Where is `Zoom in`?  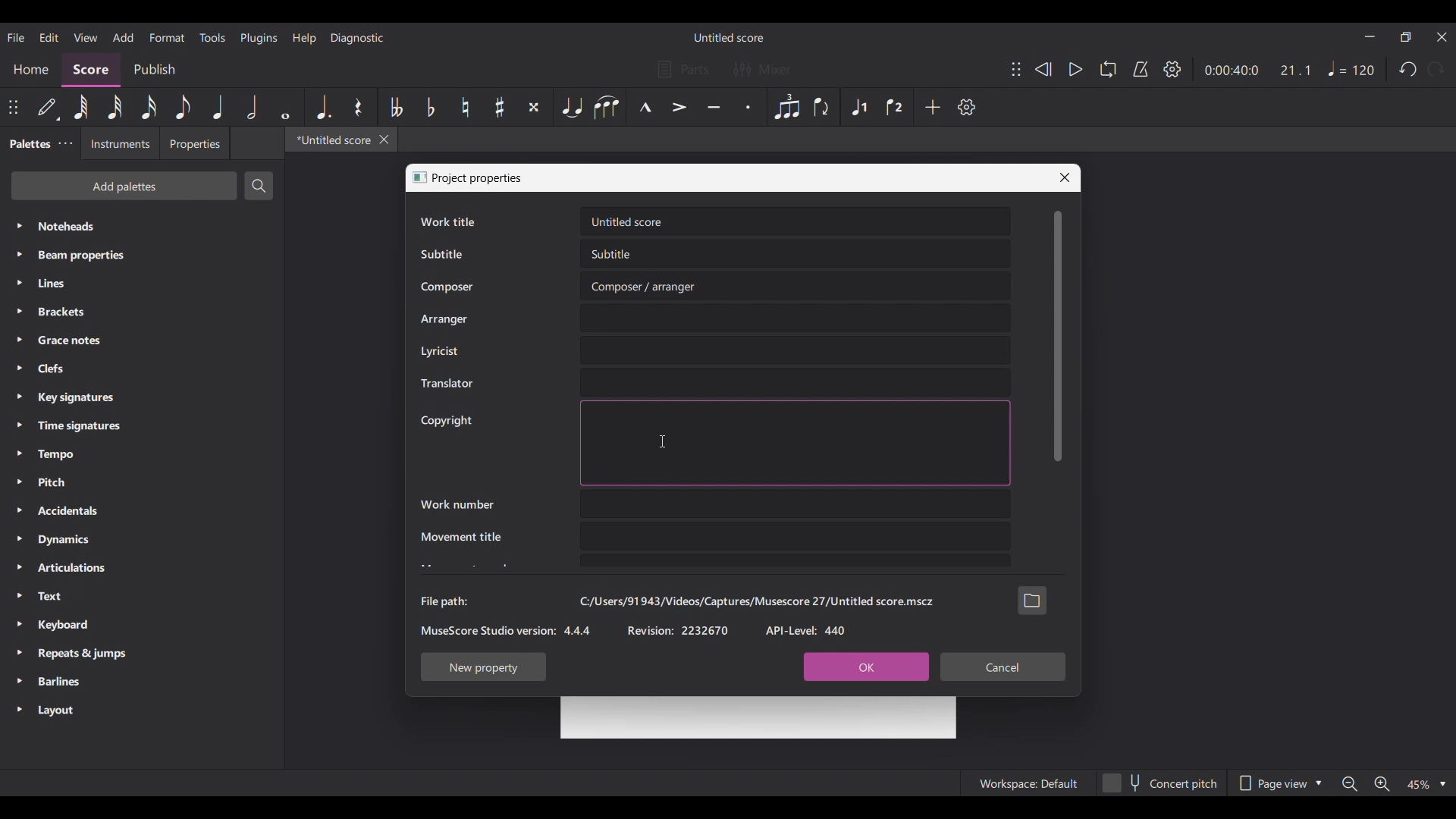
Zoom in is located at coordinates (1382, 784).